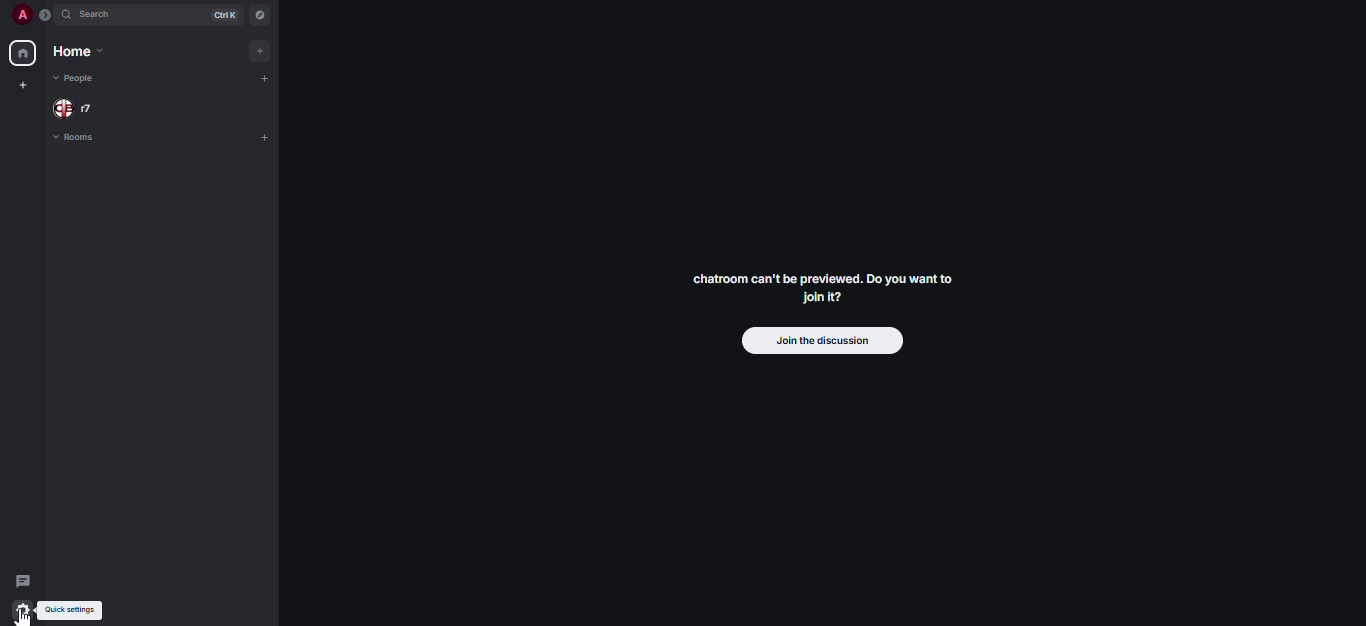 This screenshot has height=626, width=1366. I want to click on add, so click(259, 51).